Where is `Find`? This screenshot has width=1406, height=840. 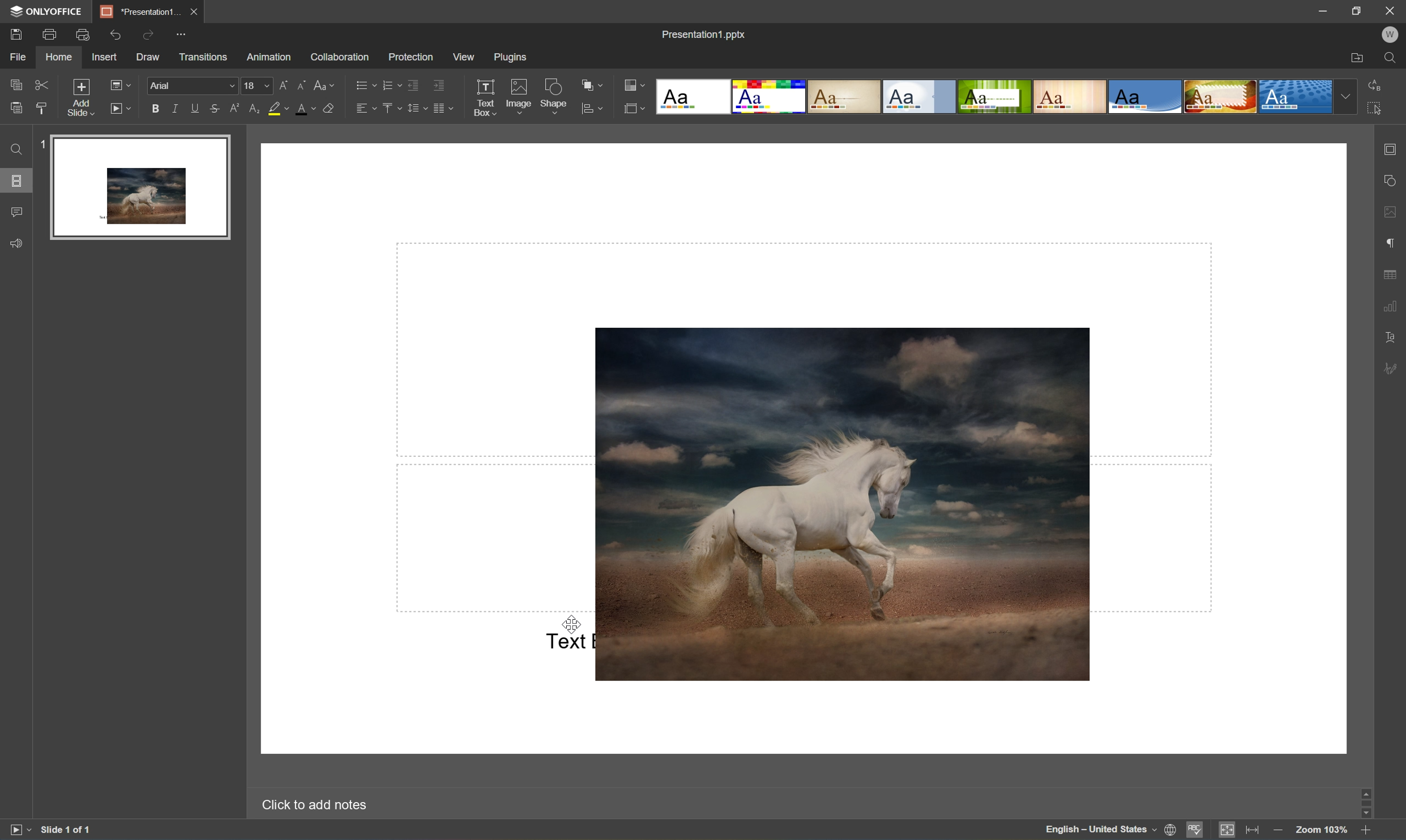 Find is located at coordinates (1391, 58).